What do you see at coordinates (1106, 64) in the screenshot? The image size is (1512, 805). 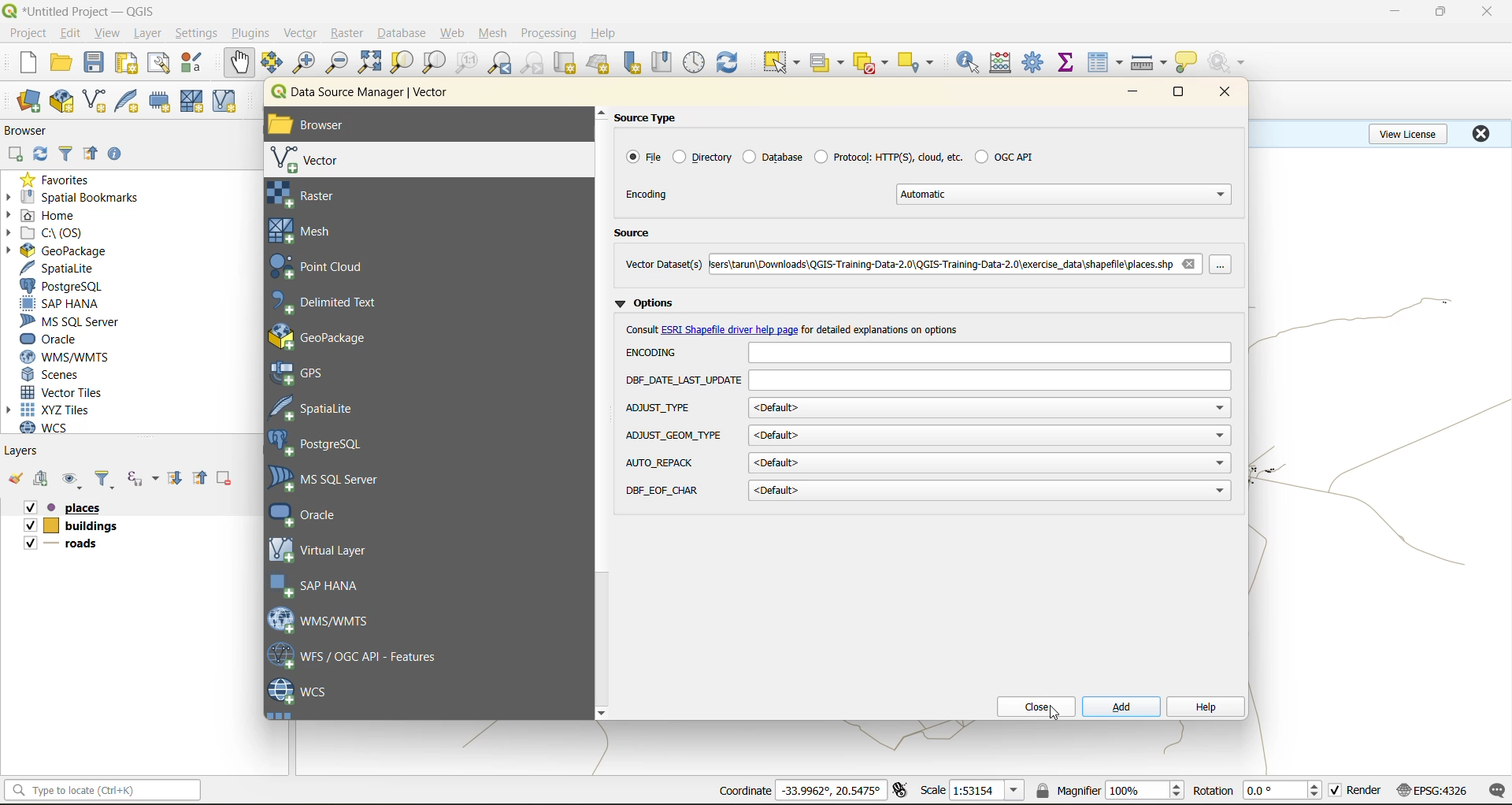 I see `attributes table` at bounding box center [1106, 64].